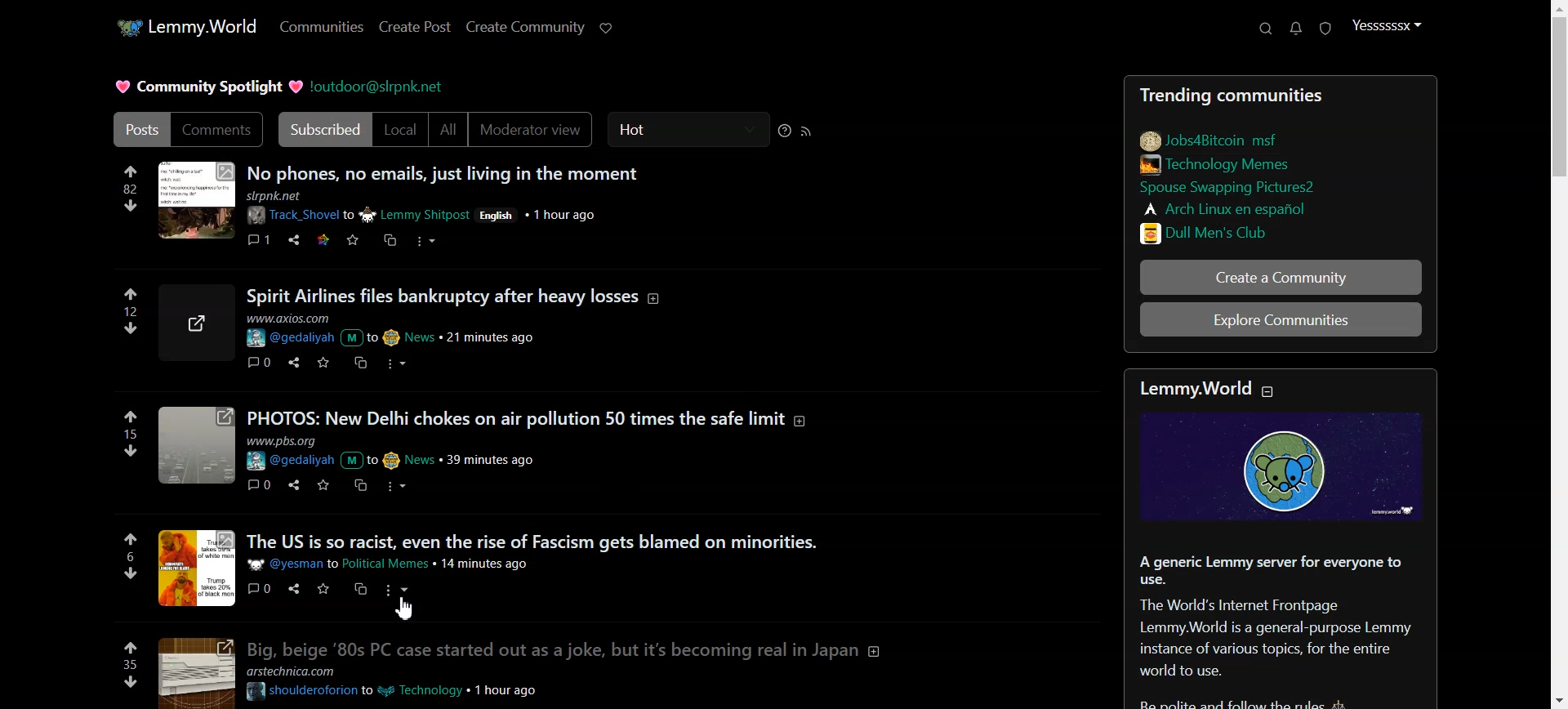 The width and height of the screenshot is (1568, 709). Describe the element at coordinates (131, 646) in the screenshot. I see `upvote` at that location.